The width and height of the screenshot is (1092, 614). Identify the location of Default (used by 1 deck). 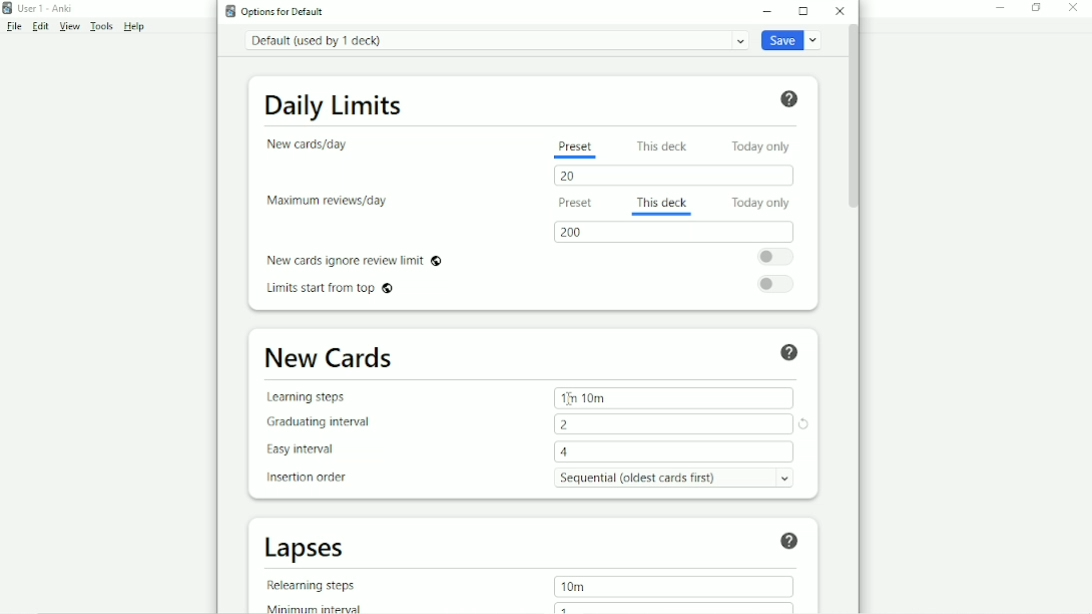
(493, 42).